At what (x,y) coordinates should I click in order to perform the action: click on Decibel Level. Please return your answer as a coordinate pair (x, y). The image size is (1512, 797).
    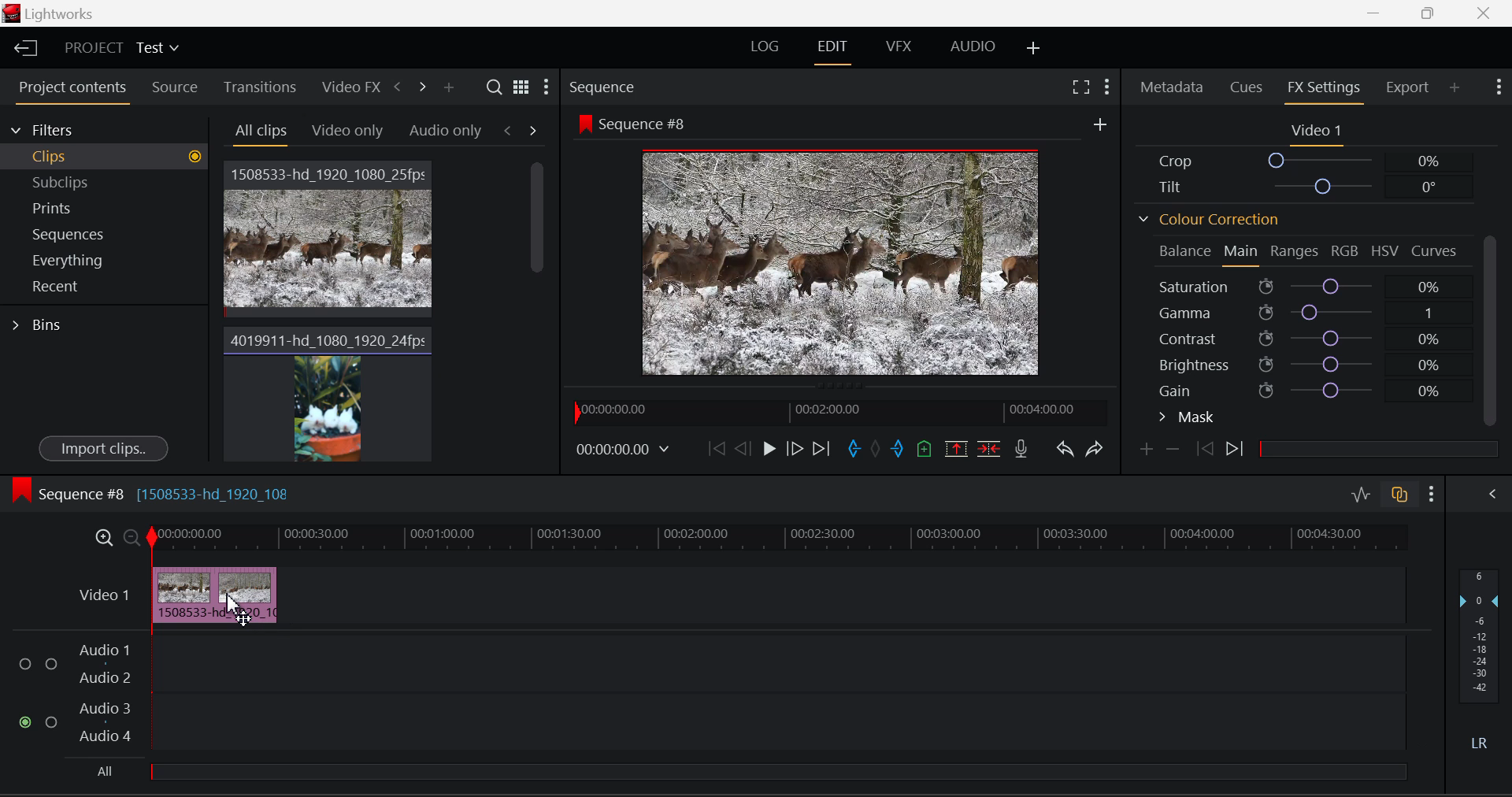
    Looking at the image, I should click on (1482, 635).